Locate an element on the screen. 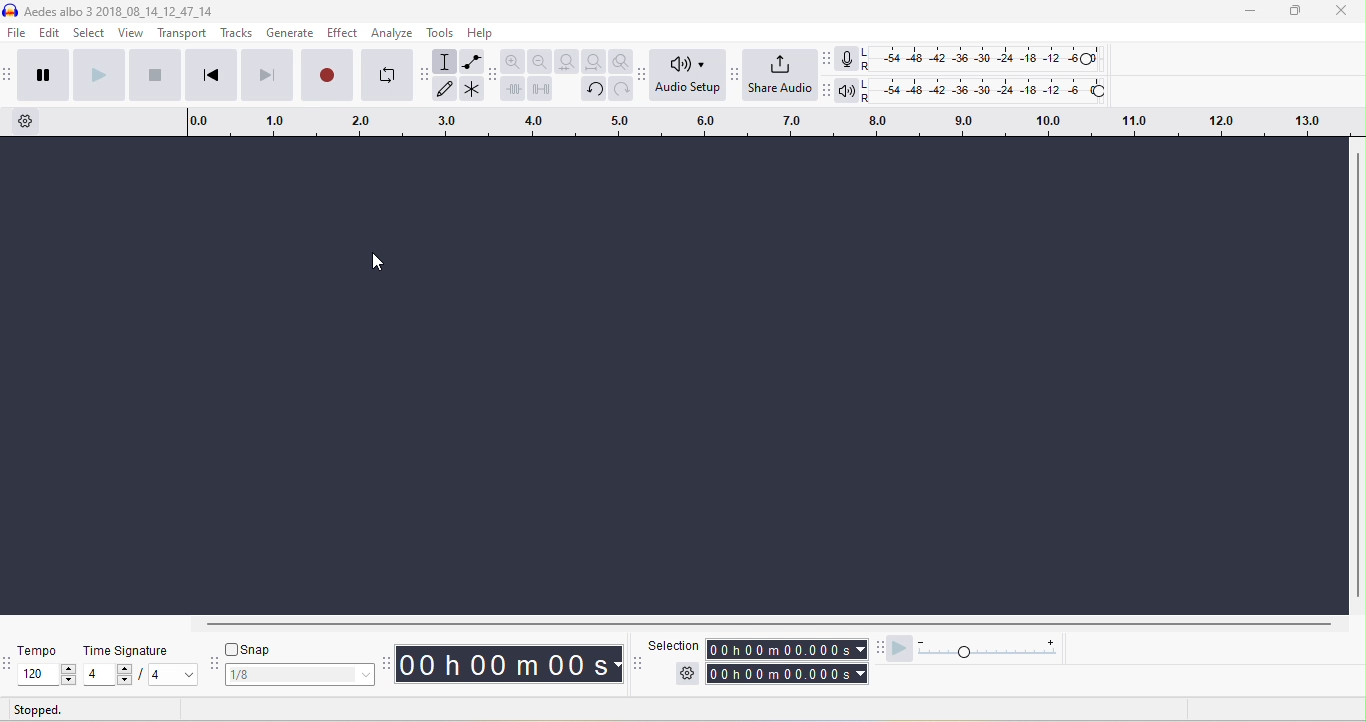 The image size is (1366, 722). playback level is located at coordinates (990, 87).